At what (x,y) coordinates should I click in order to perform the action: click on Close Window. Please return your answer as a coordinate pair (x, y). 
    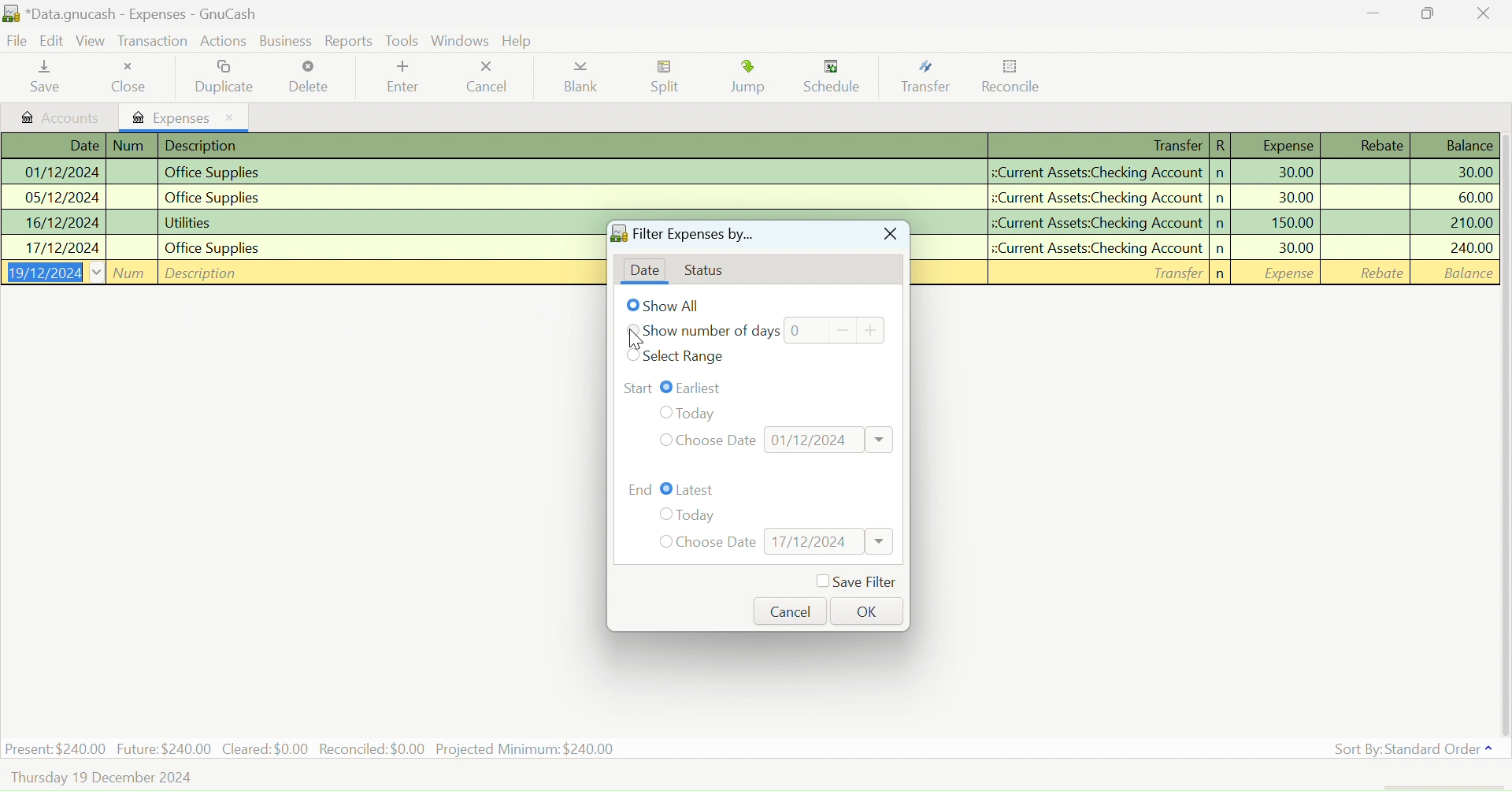
    Looking at the image, I should click on (1484, 13).